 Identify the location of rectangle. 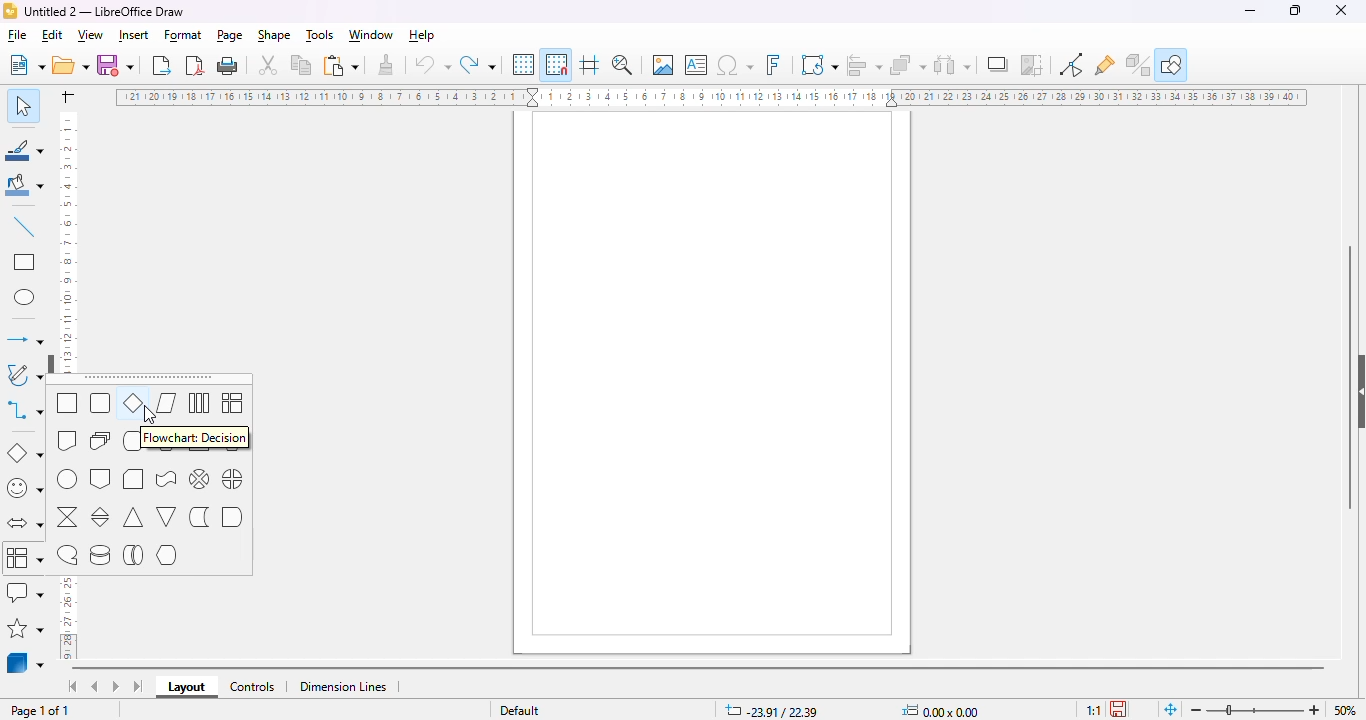
(26, 263).